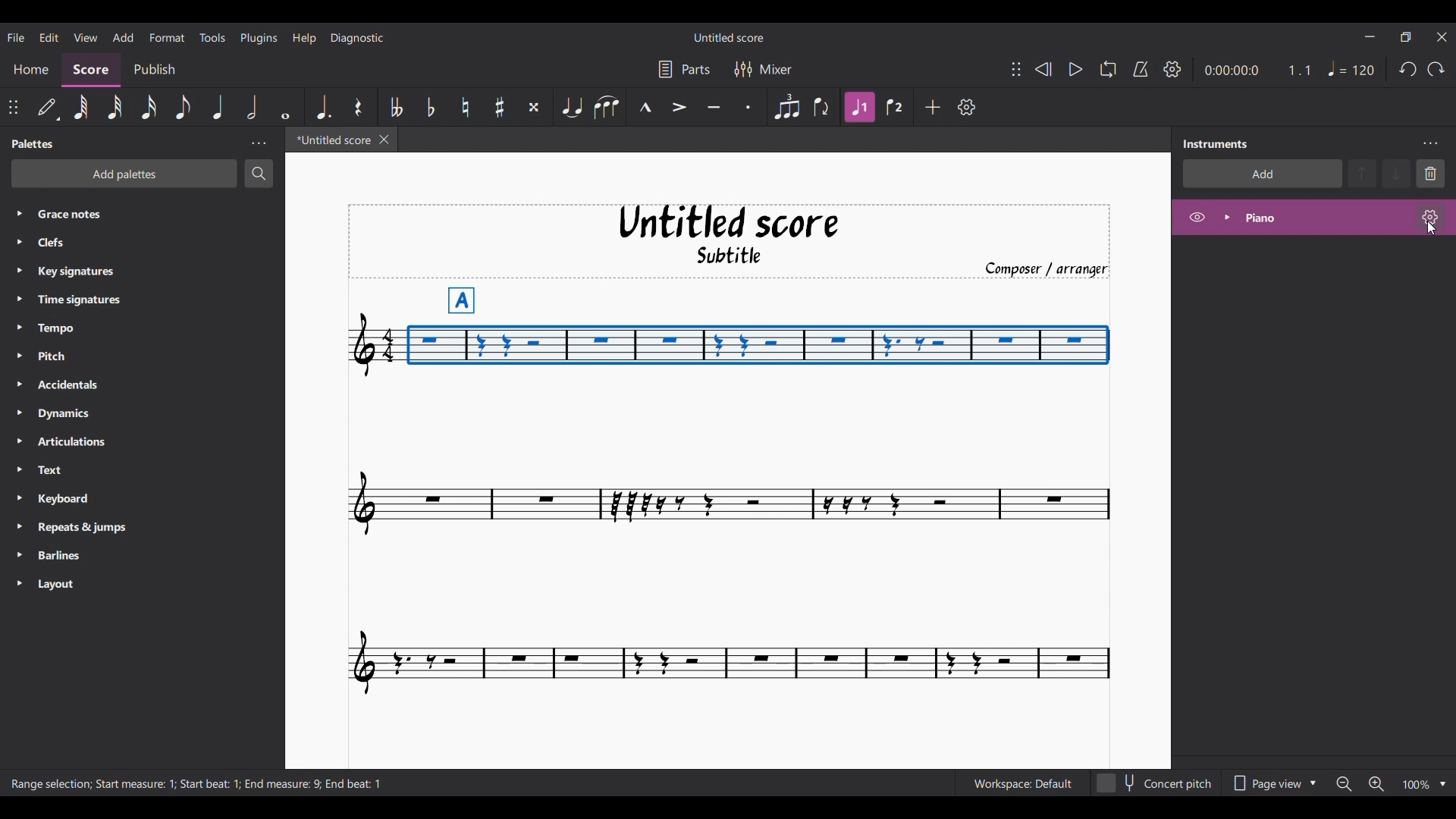 This screenshot has width=1456, height=819. What do you see at coordinates (1156, 783) in the screenshot?
I see `Toggle content pitch` at bounding box center [1156, 783].